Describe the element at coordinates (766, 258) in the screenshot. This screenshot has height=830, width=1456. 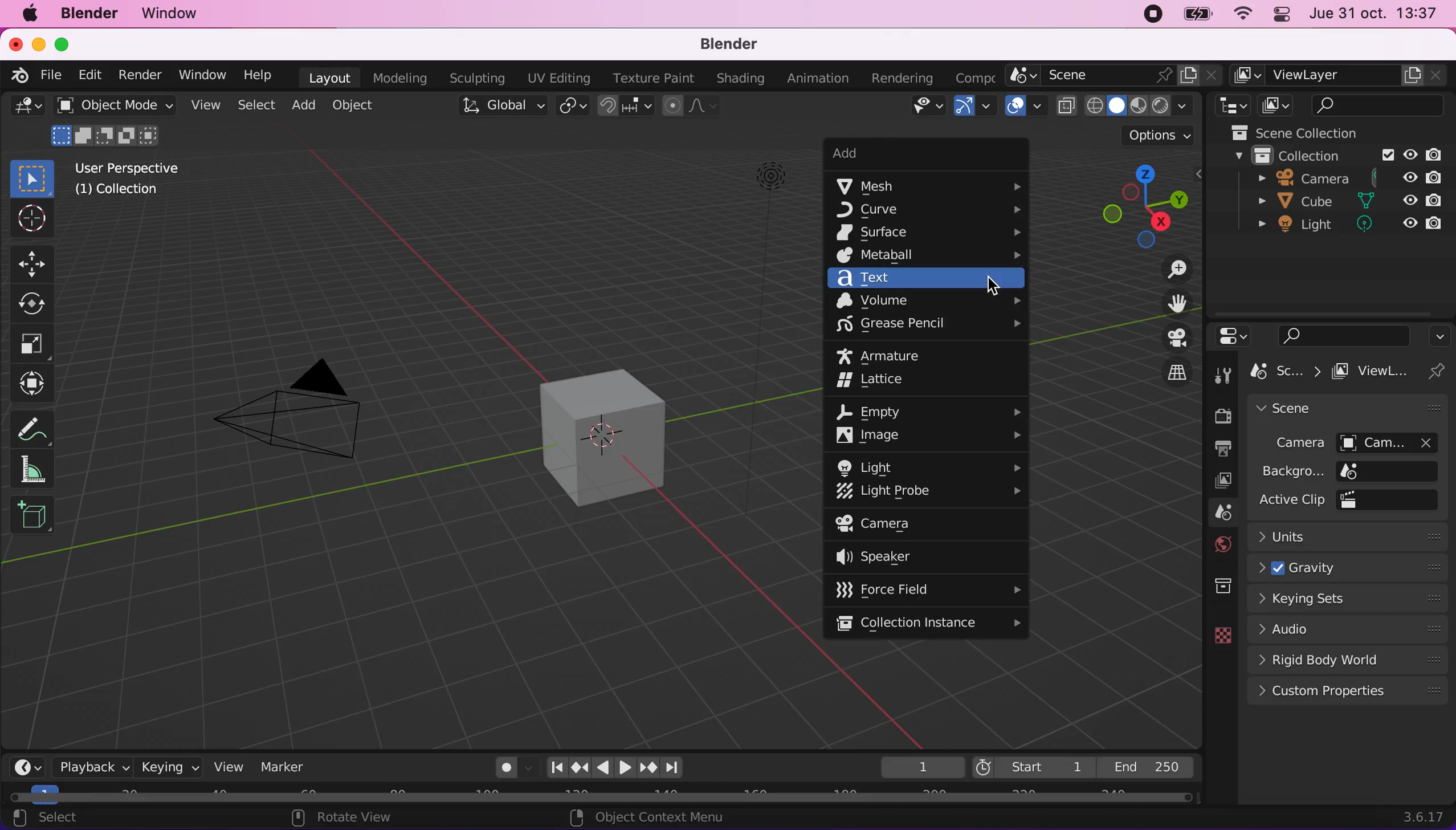
I see `light` at that location.